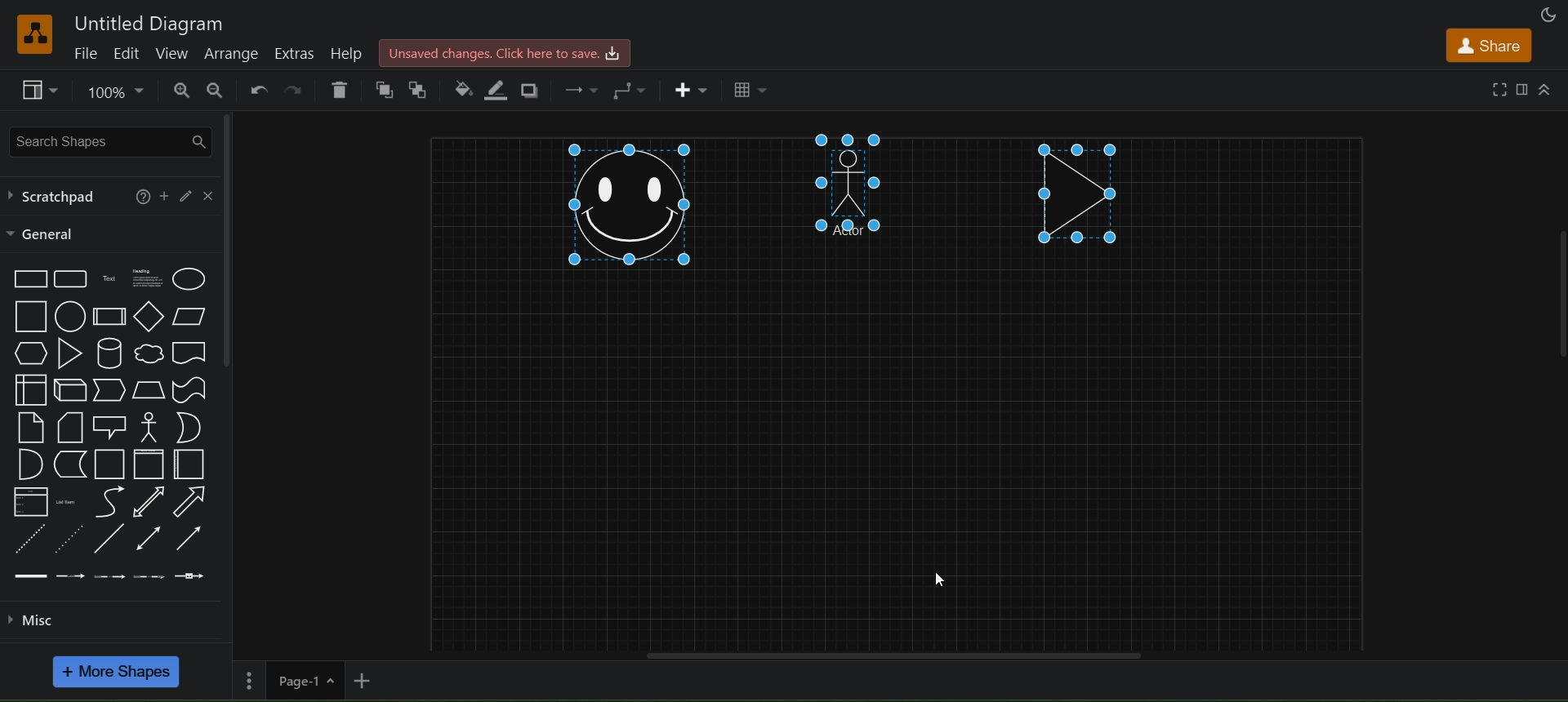  What do you see at coordinates (66, 425) in the screenshot?
I see `card` at bounding box center [66, 425].